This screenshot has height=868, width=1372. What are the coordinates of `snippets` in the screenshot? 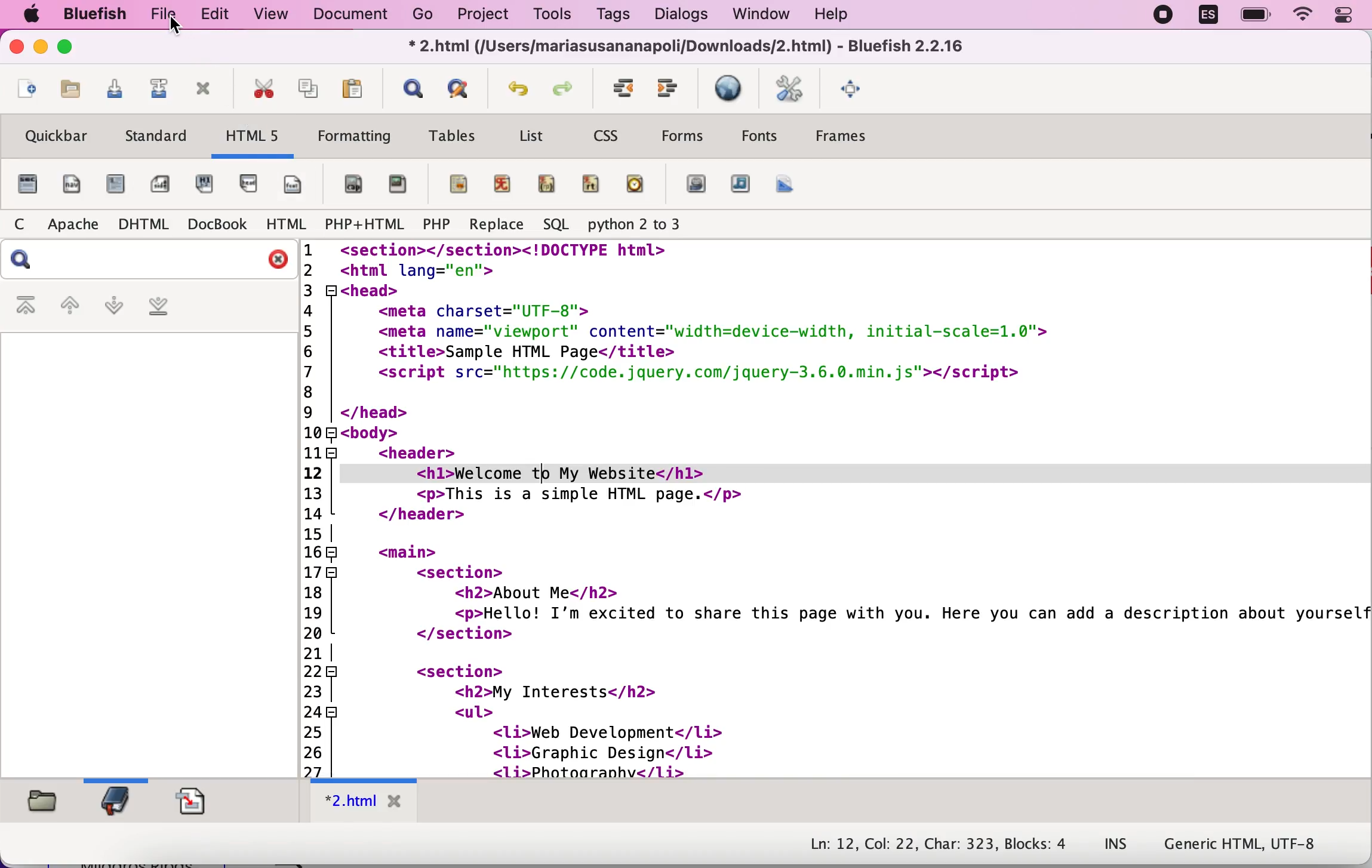 It's located at (200, 802).